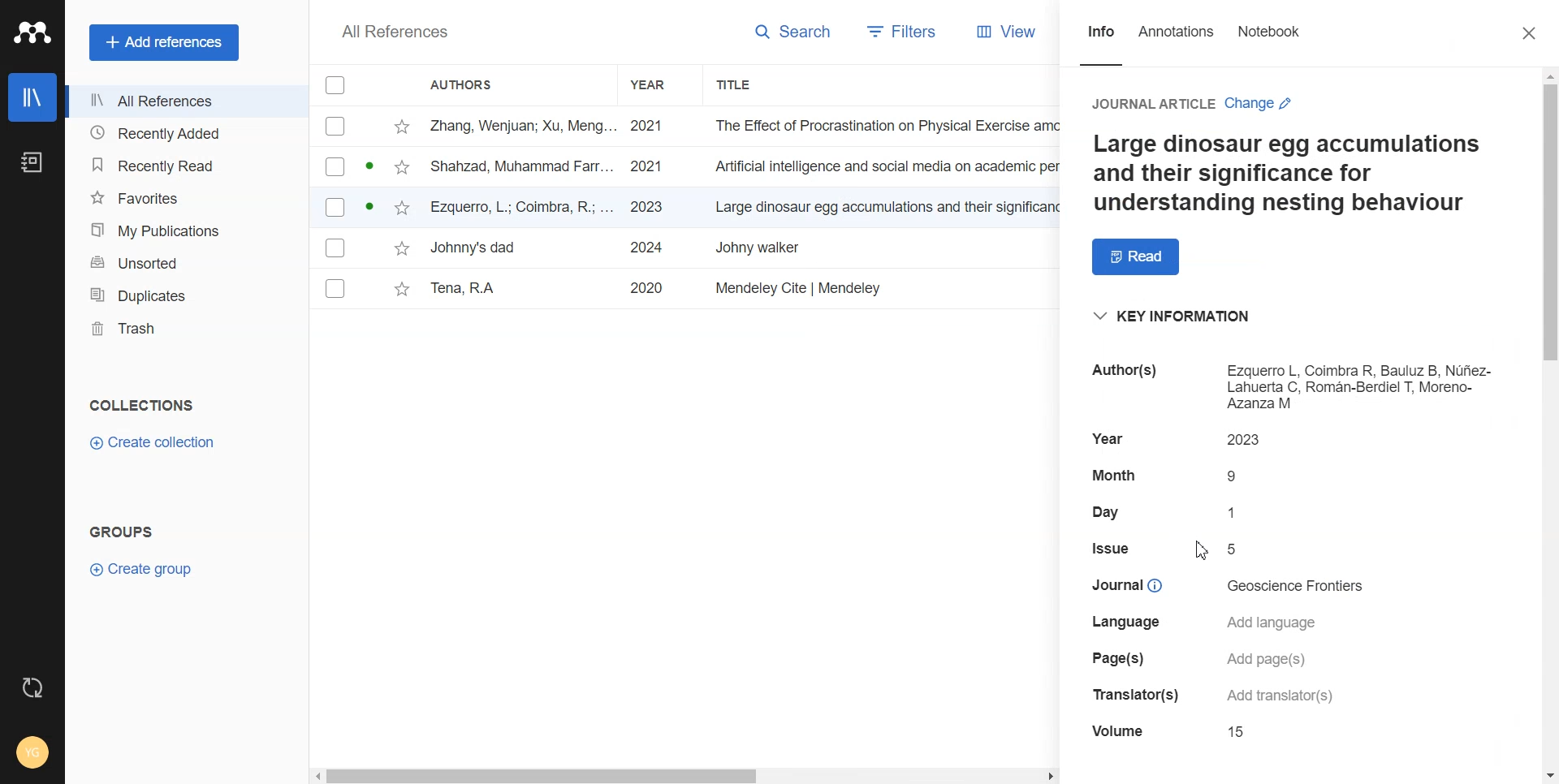 The image size is (1559, 784). I want to click on star, so click(402, 246).